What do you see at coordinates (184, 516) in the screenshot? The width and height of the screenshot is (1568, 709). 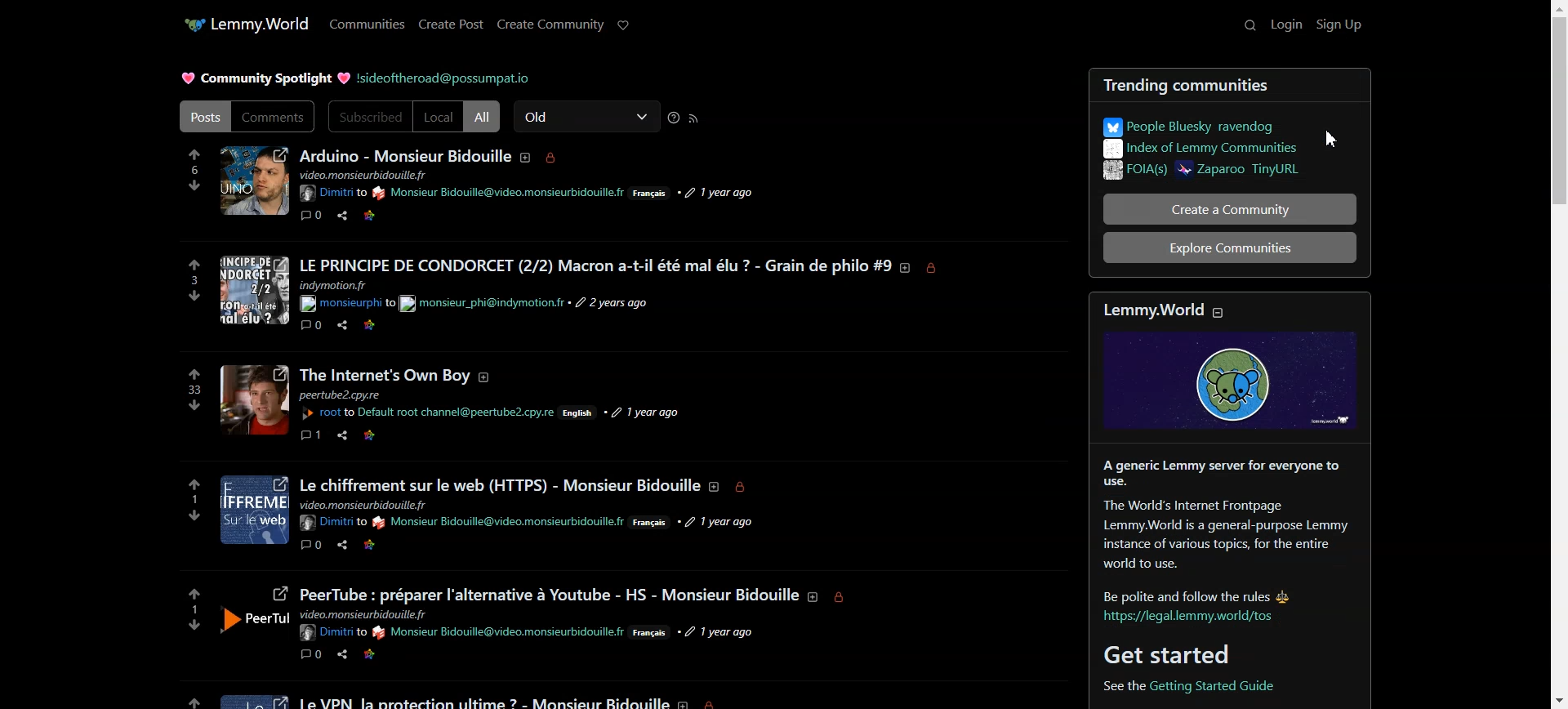 I see `downvotes` at bounding box center [184, 516].